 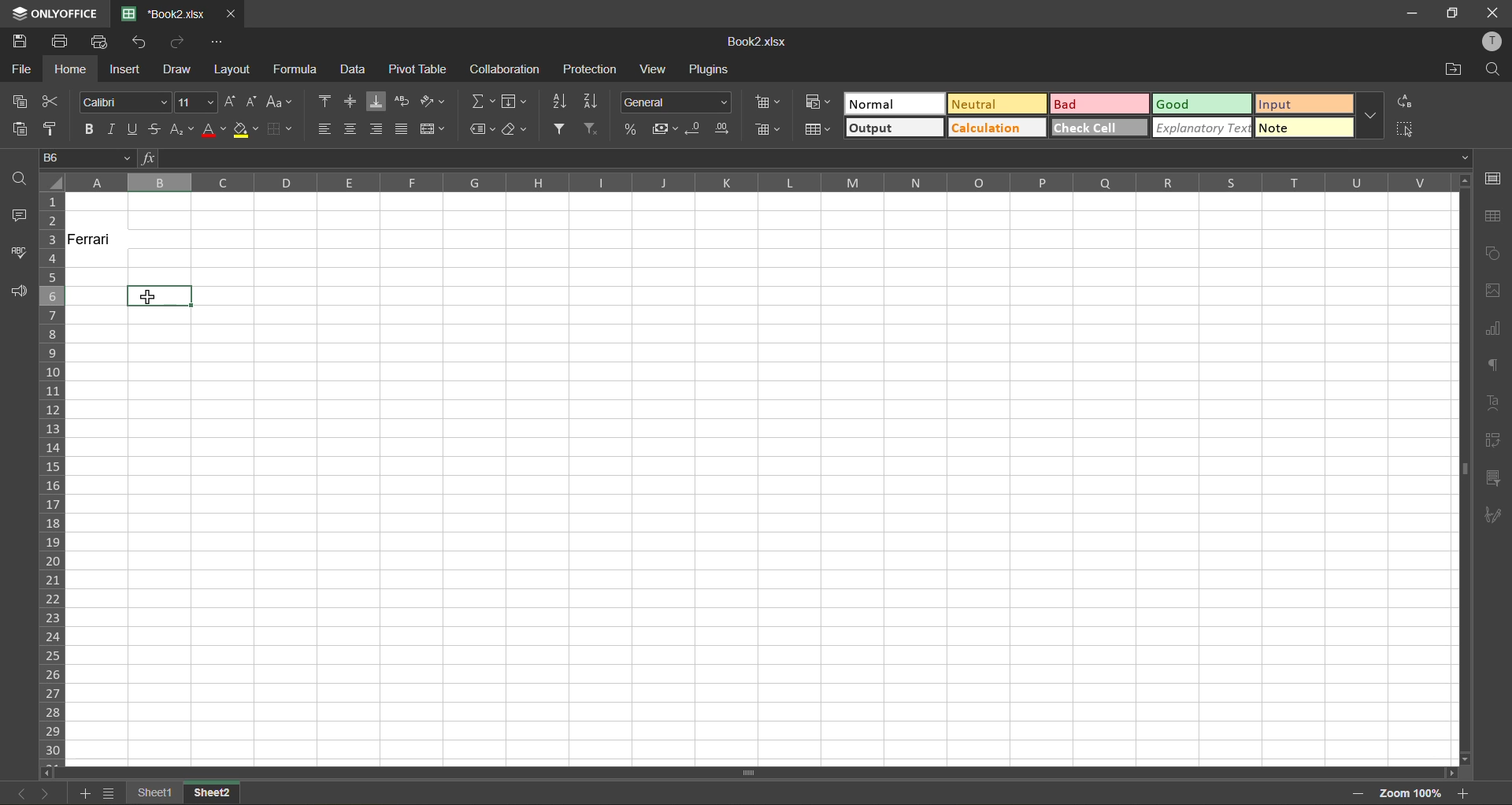 What do you see at coordinates (1492, 481) in the screenshot?
I see `slicer` at bounding box center [1492, 481].